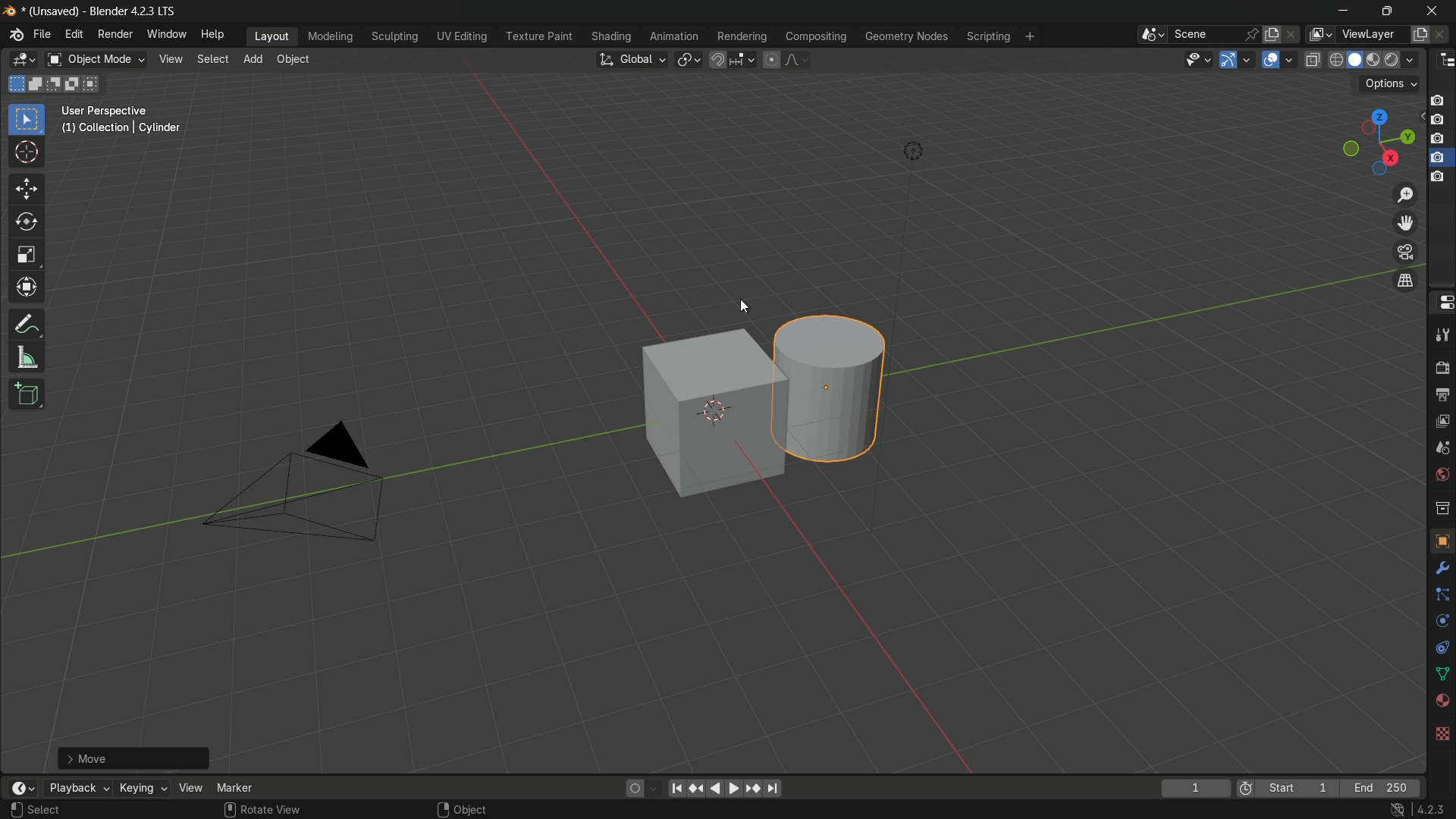 Image resolution: width=1456 pixels, height=819 pixels. I want to click on keying, so click(142, 788).